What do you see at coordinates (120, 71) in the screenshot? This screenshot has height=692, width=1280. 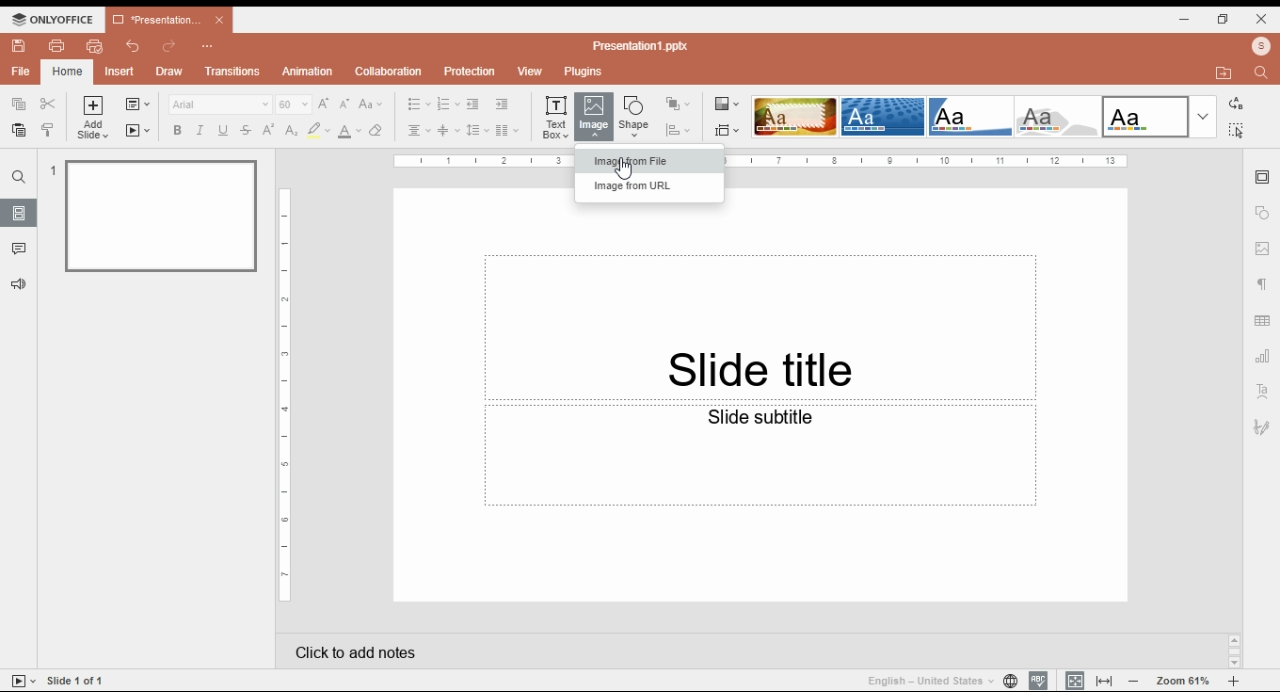 I see `insert` at bounding box center [120, 71].